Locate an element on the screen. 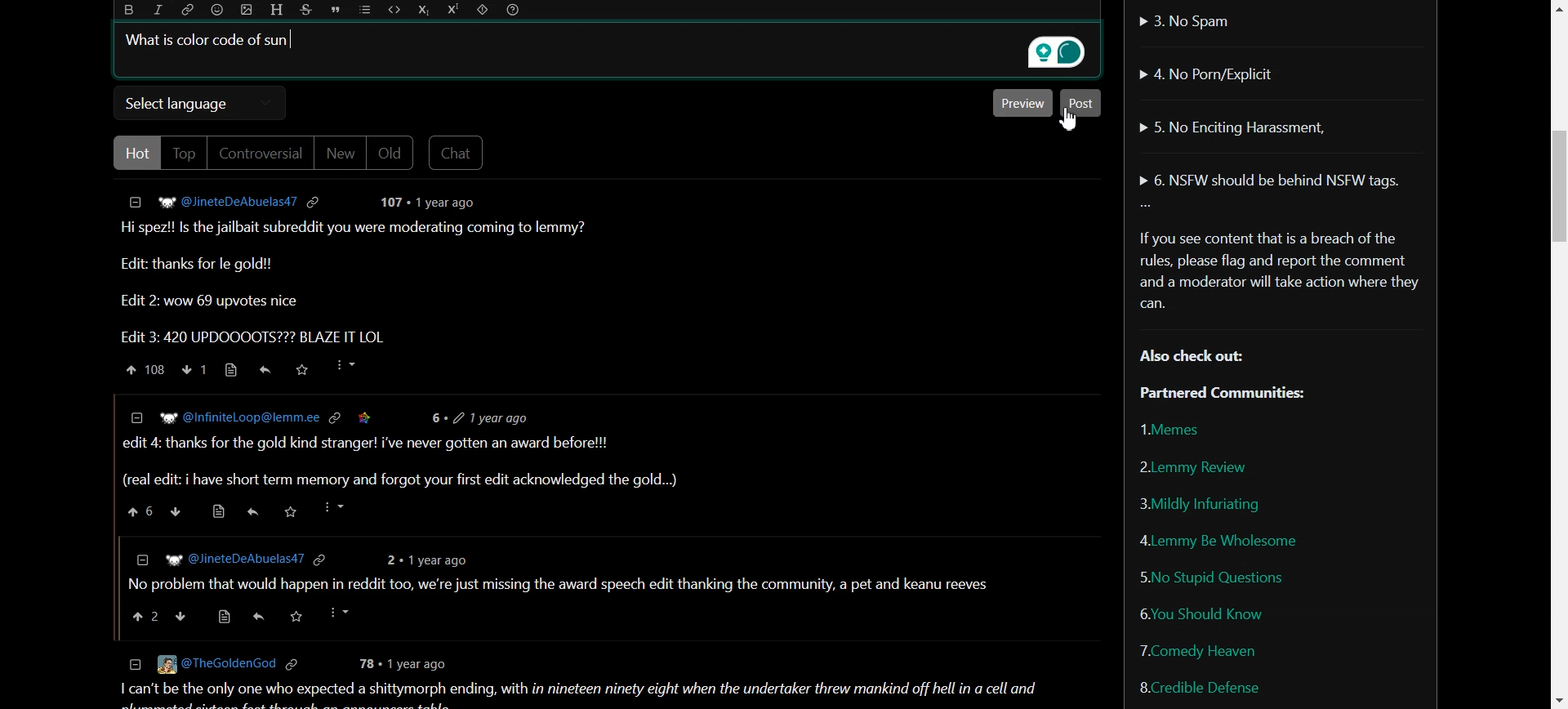 This screenshot has height=709, width=1568. Saved is located at coordinates (304, 370).